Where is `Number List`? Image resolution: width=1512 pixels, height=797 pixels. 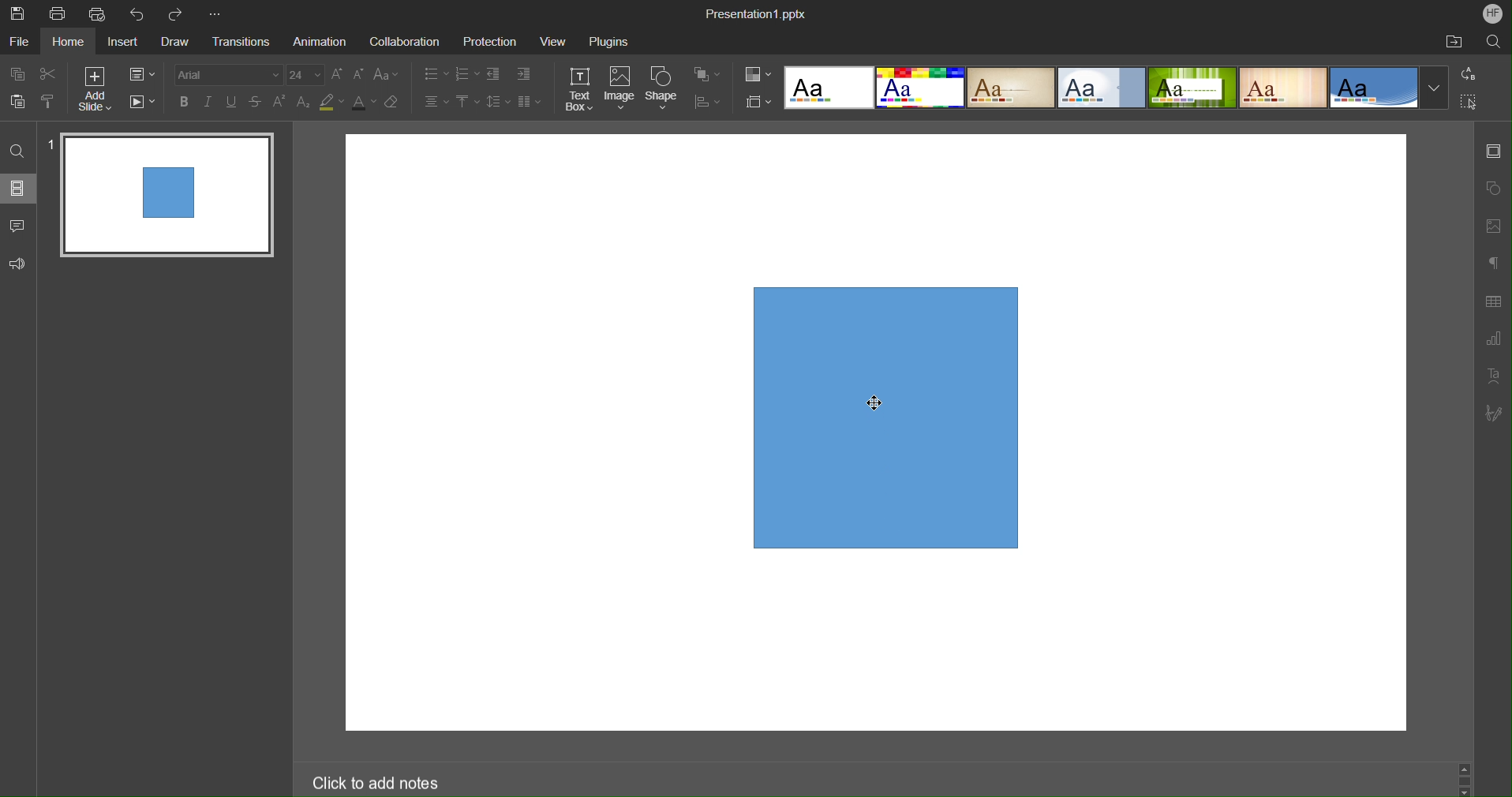 Number List is located at coordinates (468, 74).